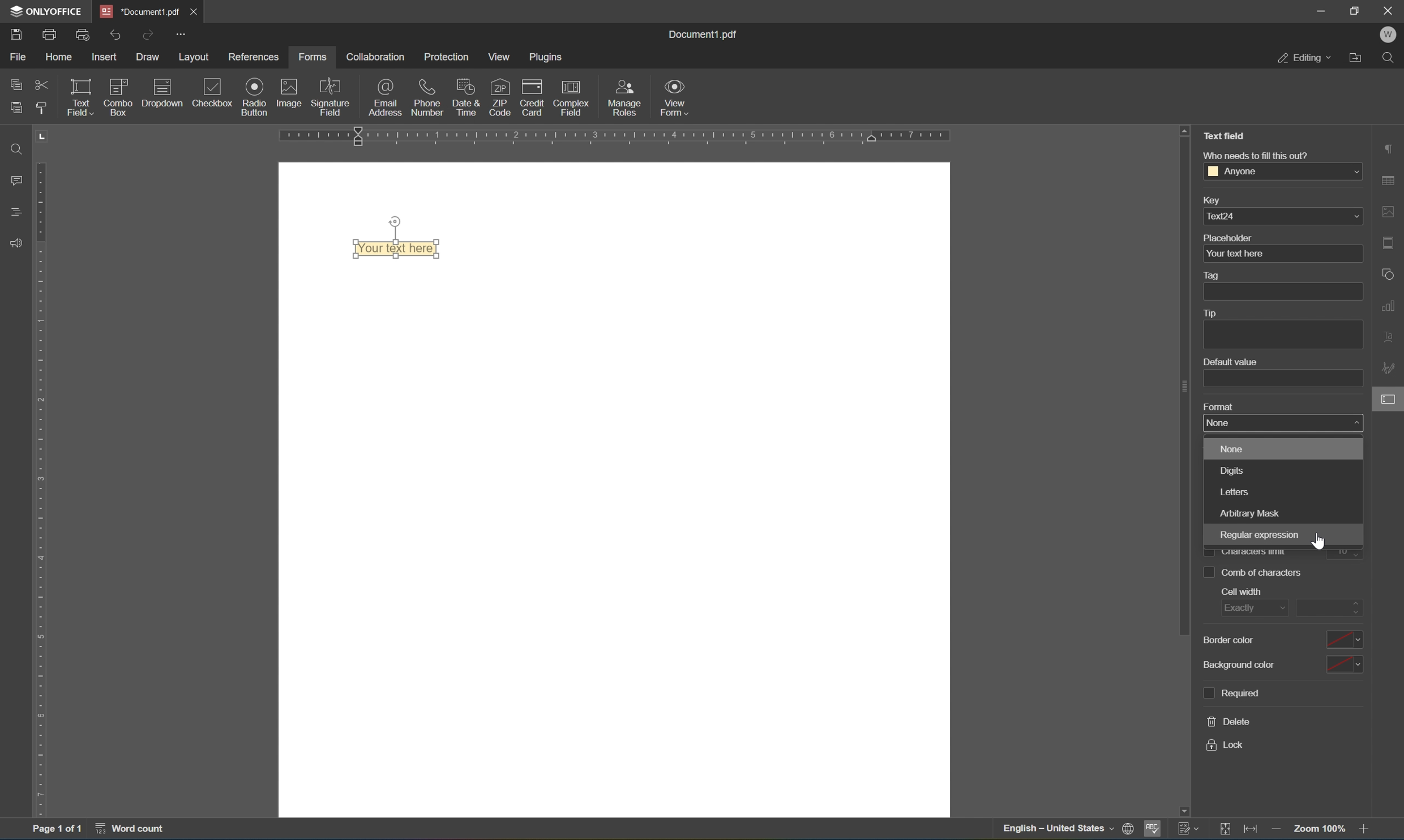  I want to click on comment, so click(14, 180).